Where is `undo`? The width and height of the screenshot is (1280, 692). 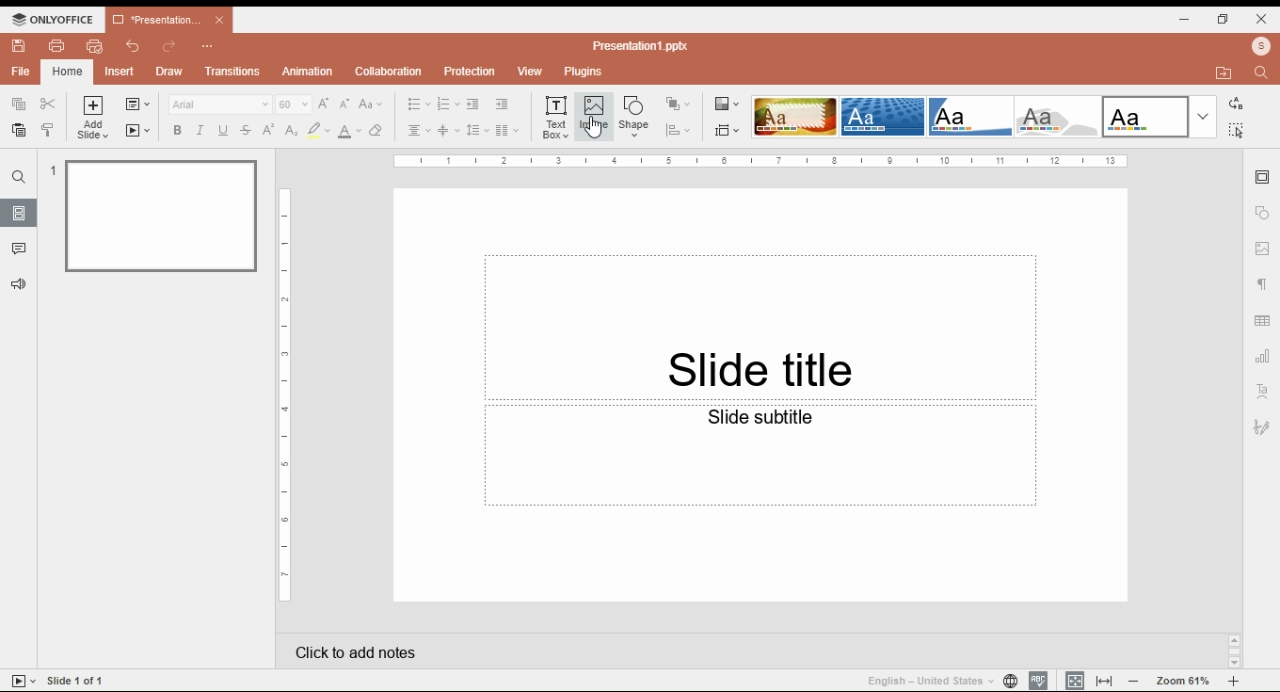
undo is located at coordinates (132, 47).